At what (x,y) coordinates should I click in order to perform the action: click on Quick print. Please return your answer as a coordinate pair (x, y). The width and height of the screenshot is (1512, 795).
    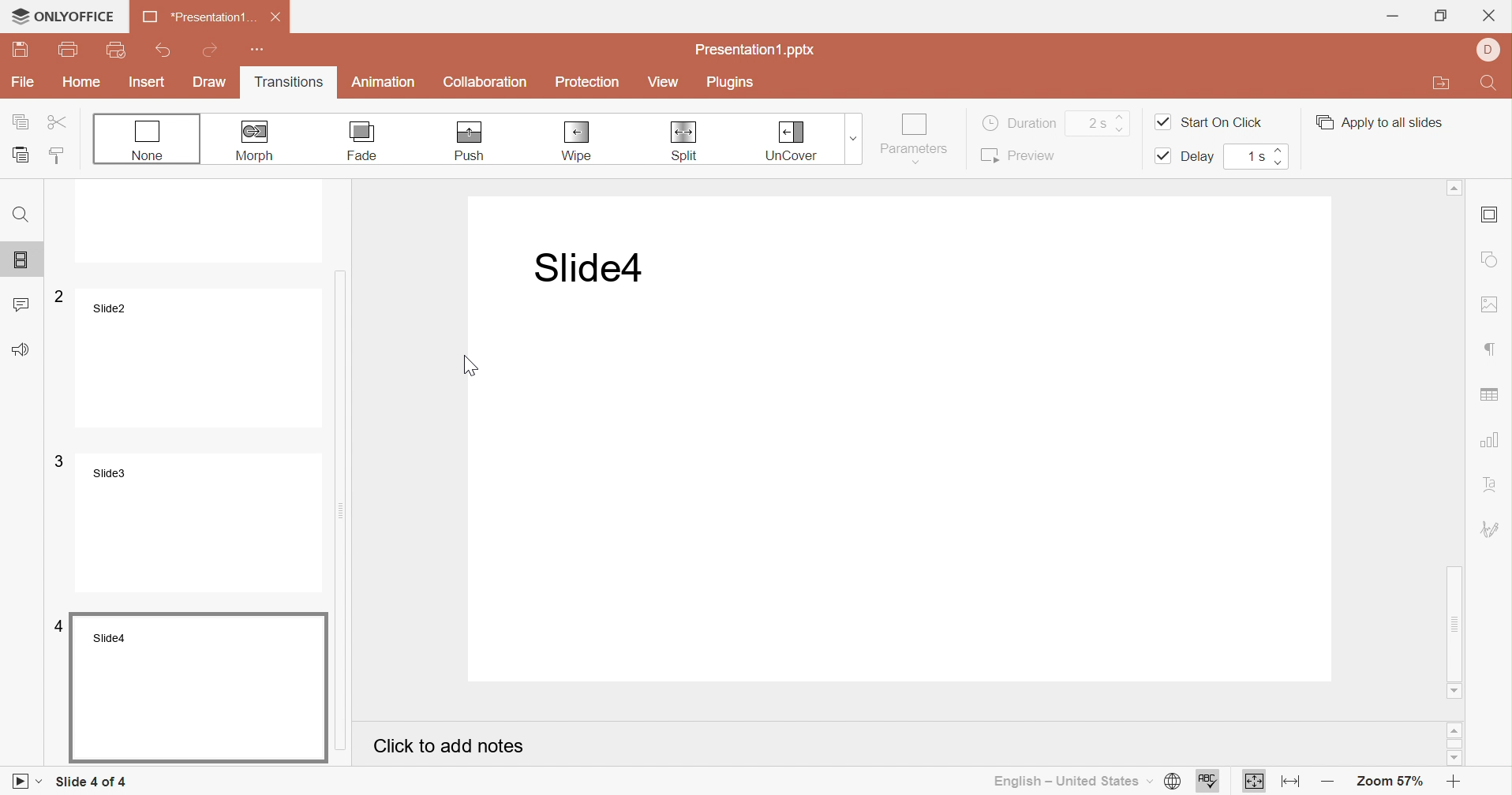
    Looking at the image, I should click on (118, 51).